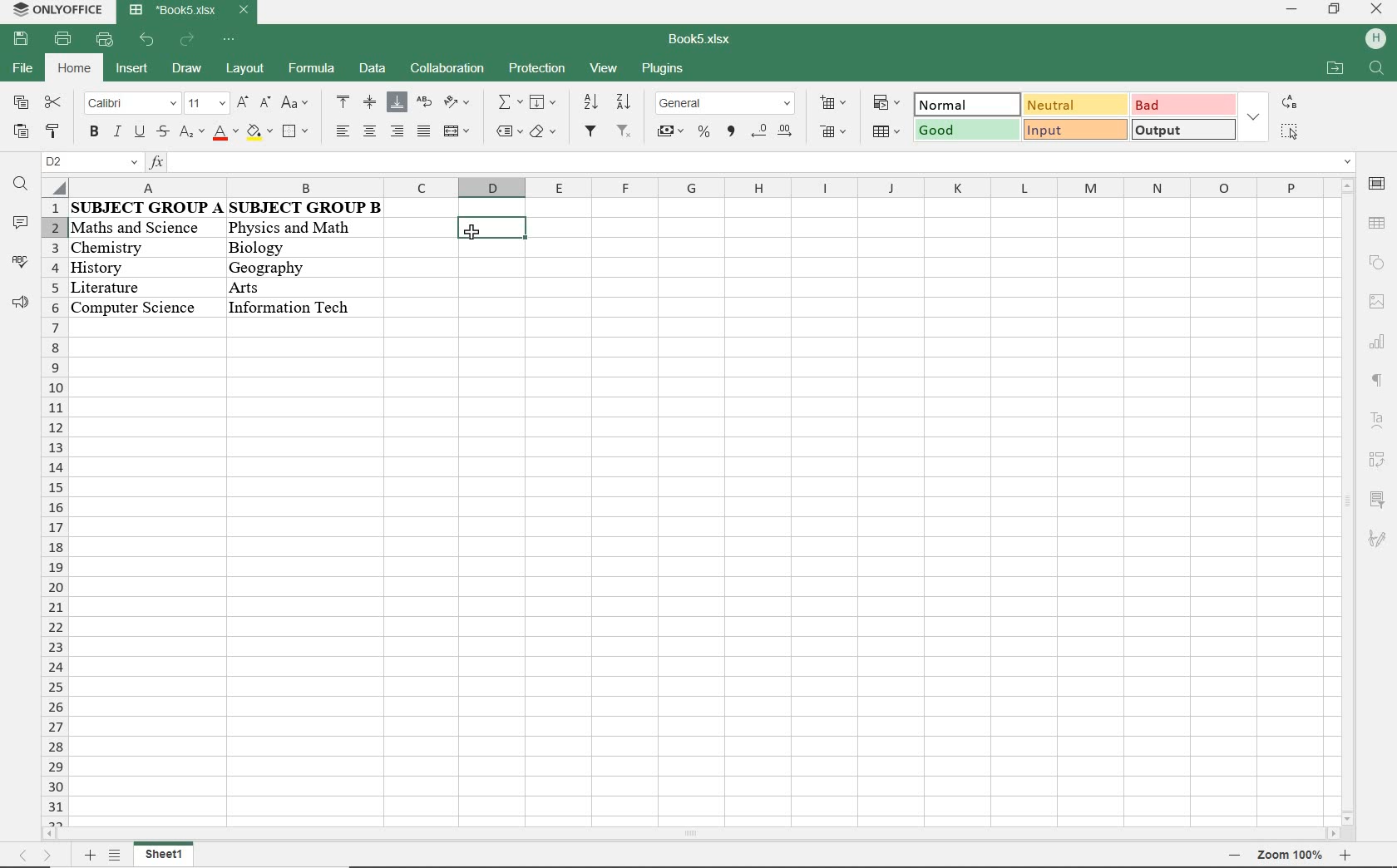 Image resolution: width=1397 pixels, height=868 pixels. What do you see at coordinates (1376, 10) in the screenshot?
I see `close` at bounding box center [1376, 10].